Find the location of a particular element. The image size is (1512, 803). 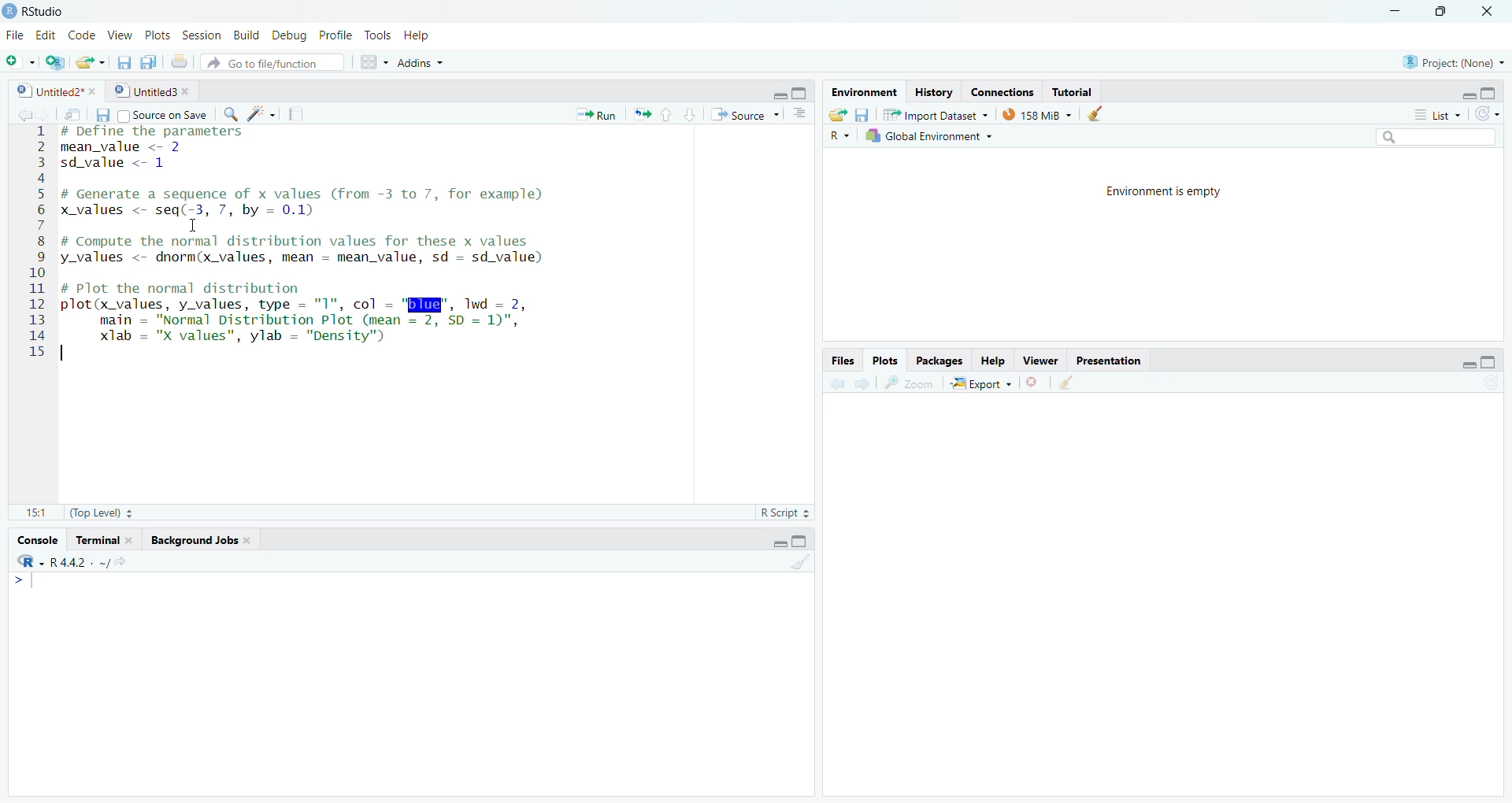

R~ is located at coordinates (840, 134).